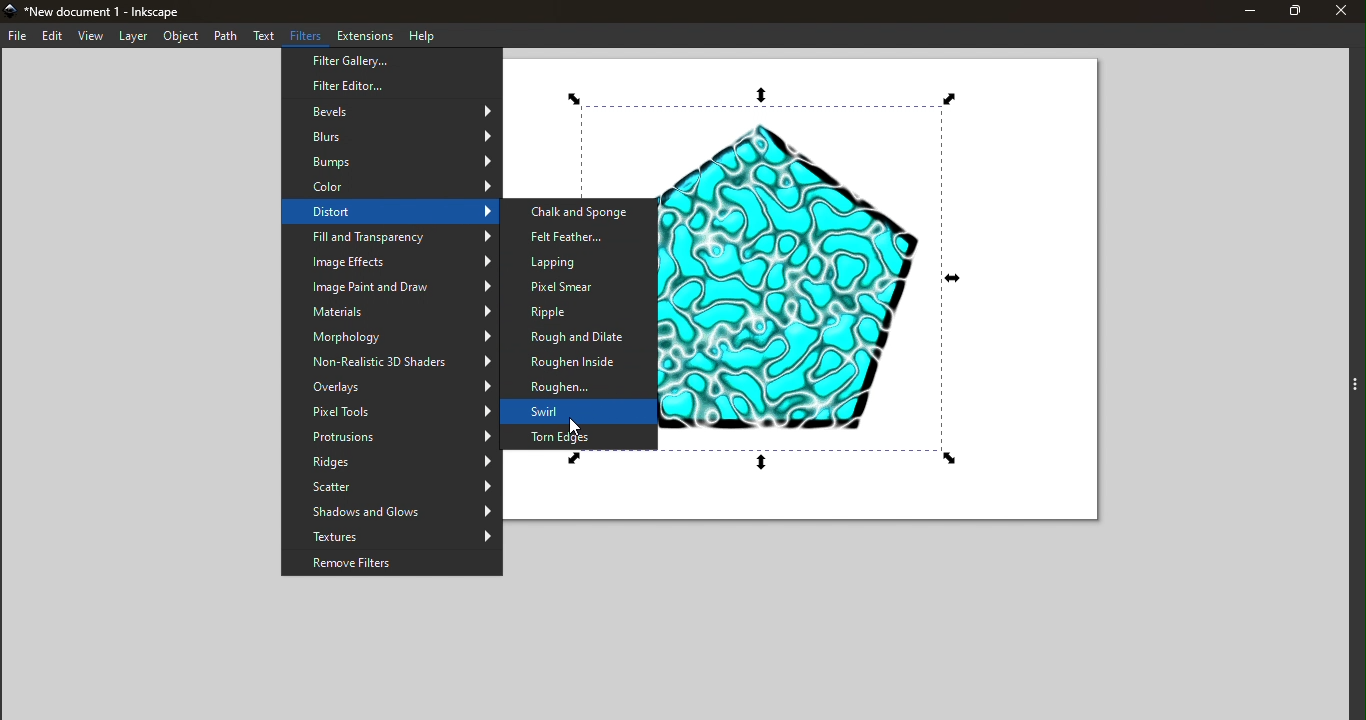 This screenshot has width=1366, height=720. Describe the element at coordinates (580, 338) in the screenshot. I see `Rough and Dilate` at that location.